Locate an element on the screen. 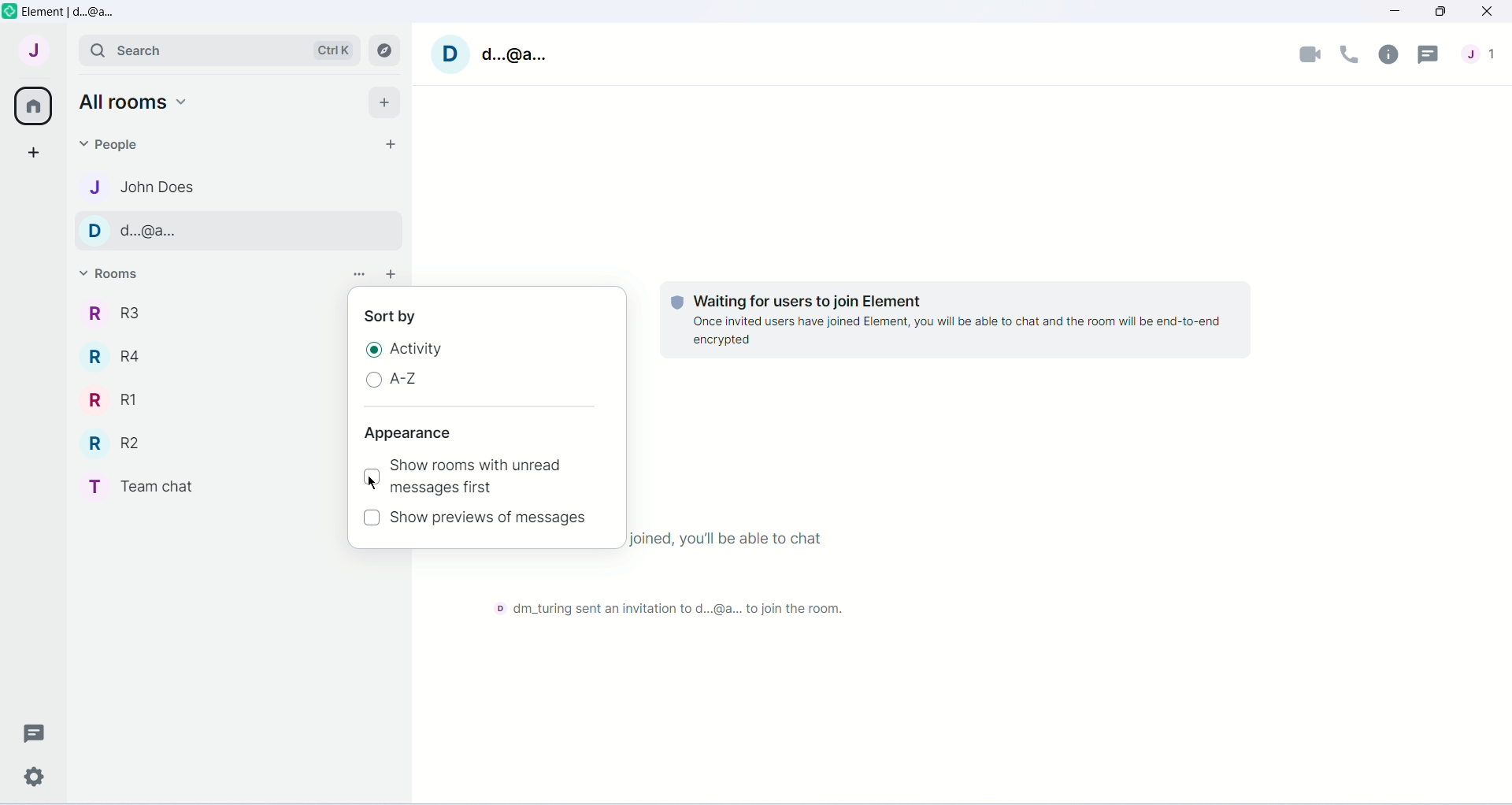  Room Info is located at coordinates (1388, 54).